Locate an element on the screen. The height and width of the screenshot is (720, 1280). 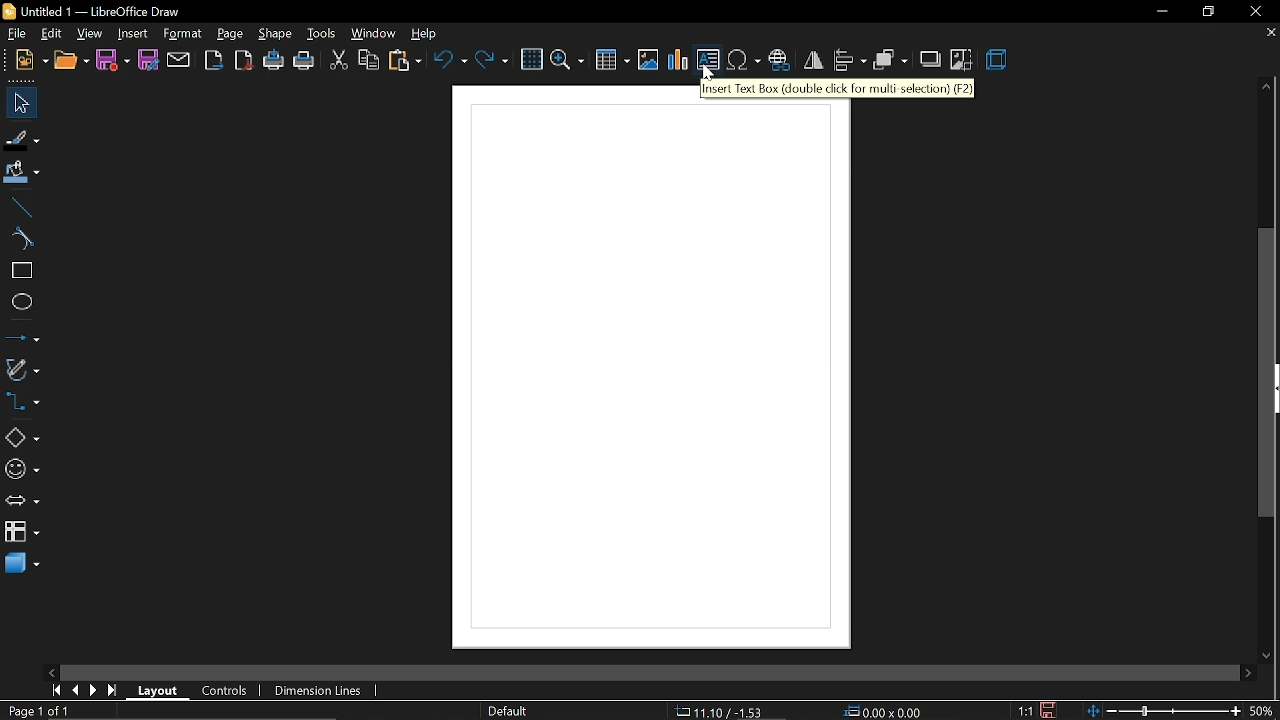
line is located at coordinates (20, 206).